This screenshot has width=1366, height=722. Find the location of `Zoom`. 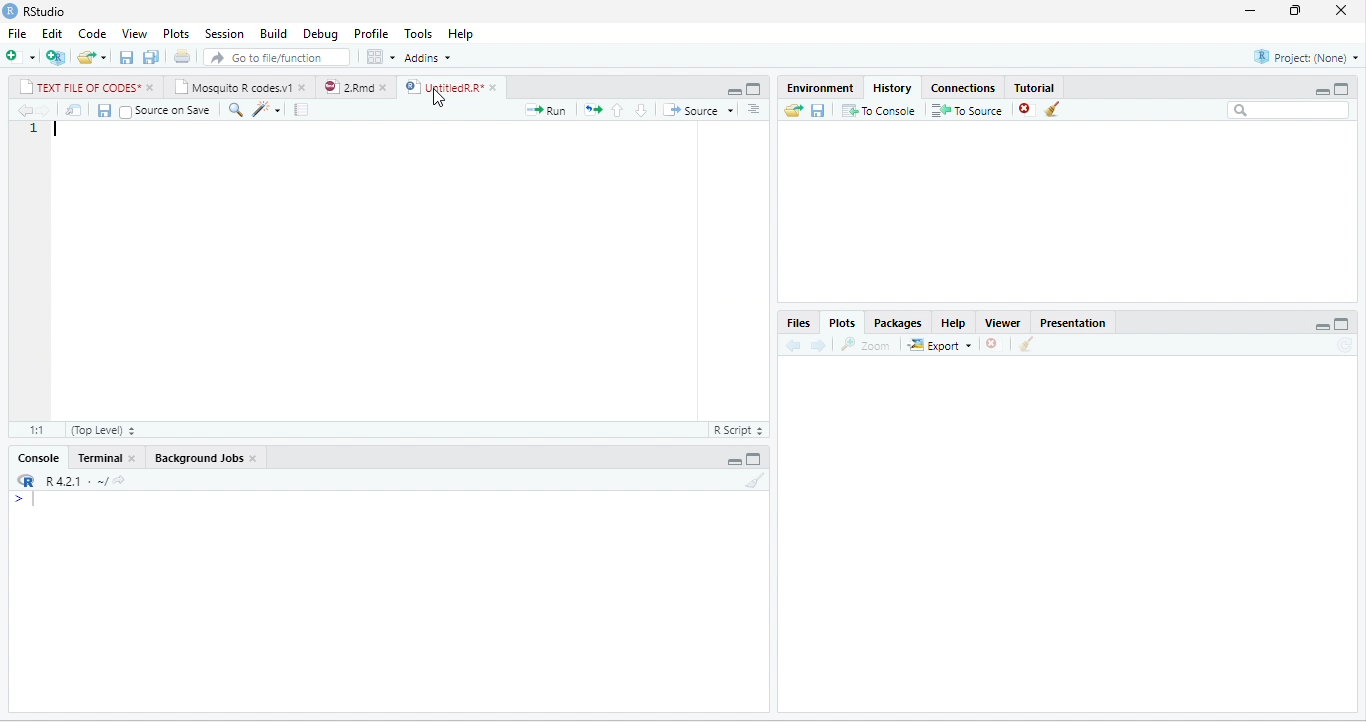

Zoom is located at coordinates (866, 345).